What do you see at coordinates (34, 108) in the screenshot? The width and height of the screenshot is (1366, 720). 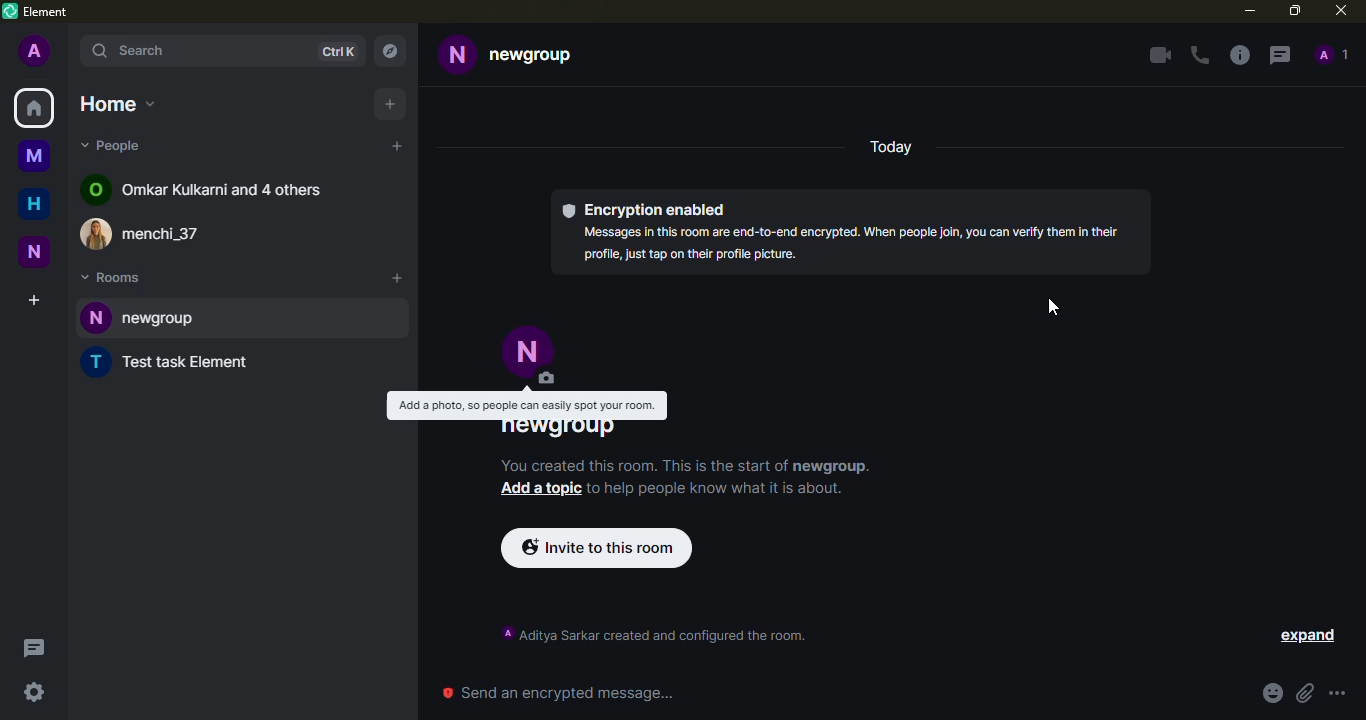 I see `home` at bounding box center [34, 108].